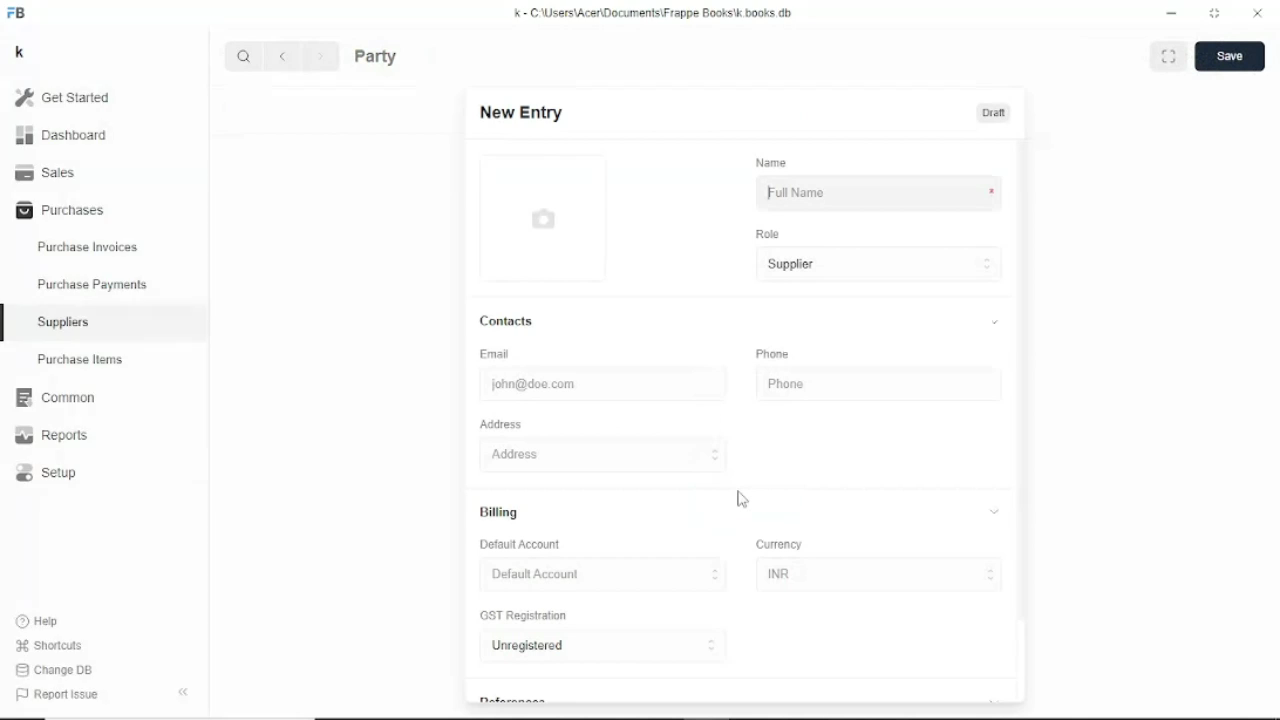 The width and height of the screenshot is (1280, 720). I want to click on Phone, so click(772, 355).